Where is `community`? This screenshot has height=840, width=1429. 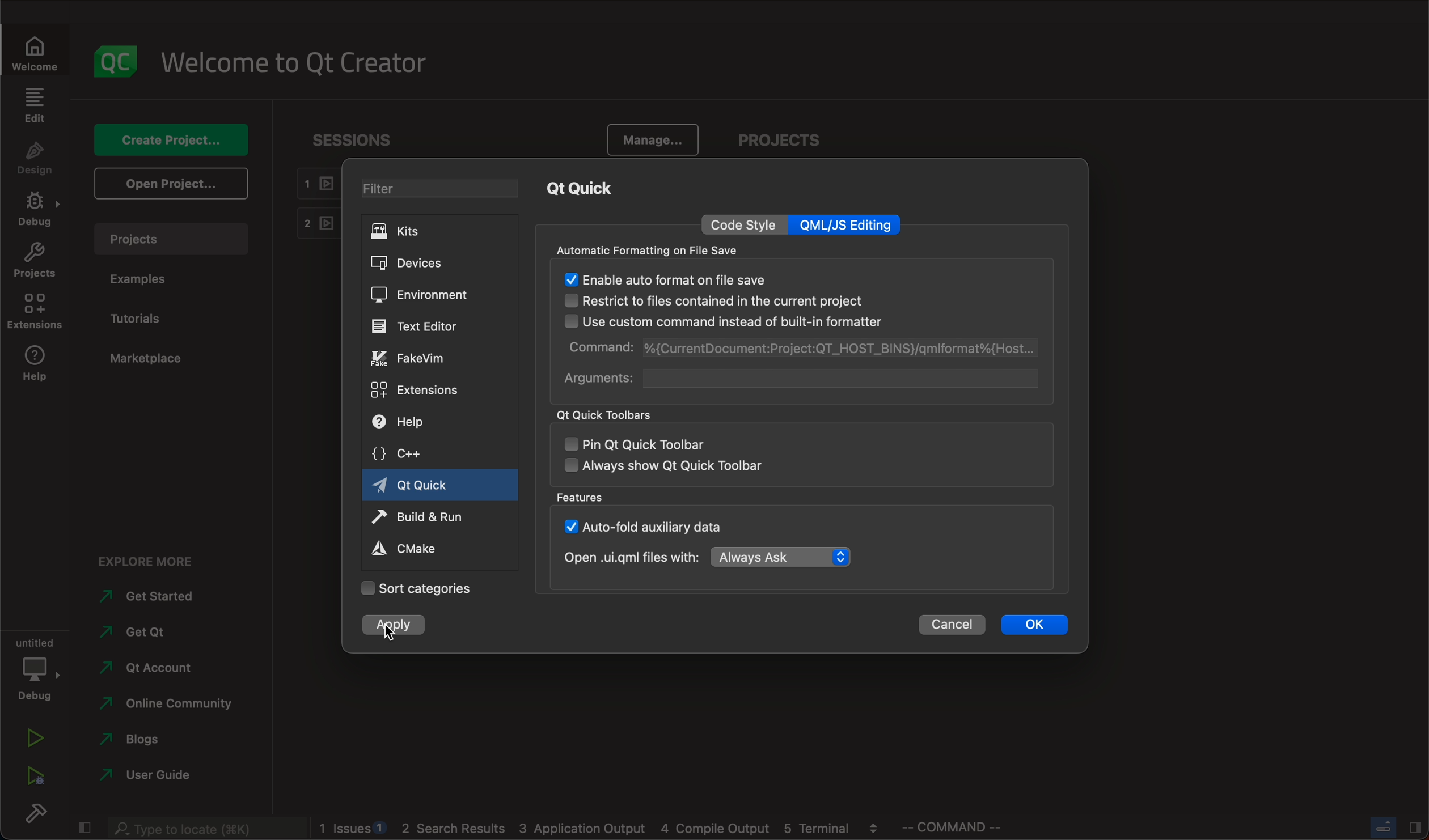 community is located at coordinates (177, 704).